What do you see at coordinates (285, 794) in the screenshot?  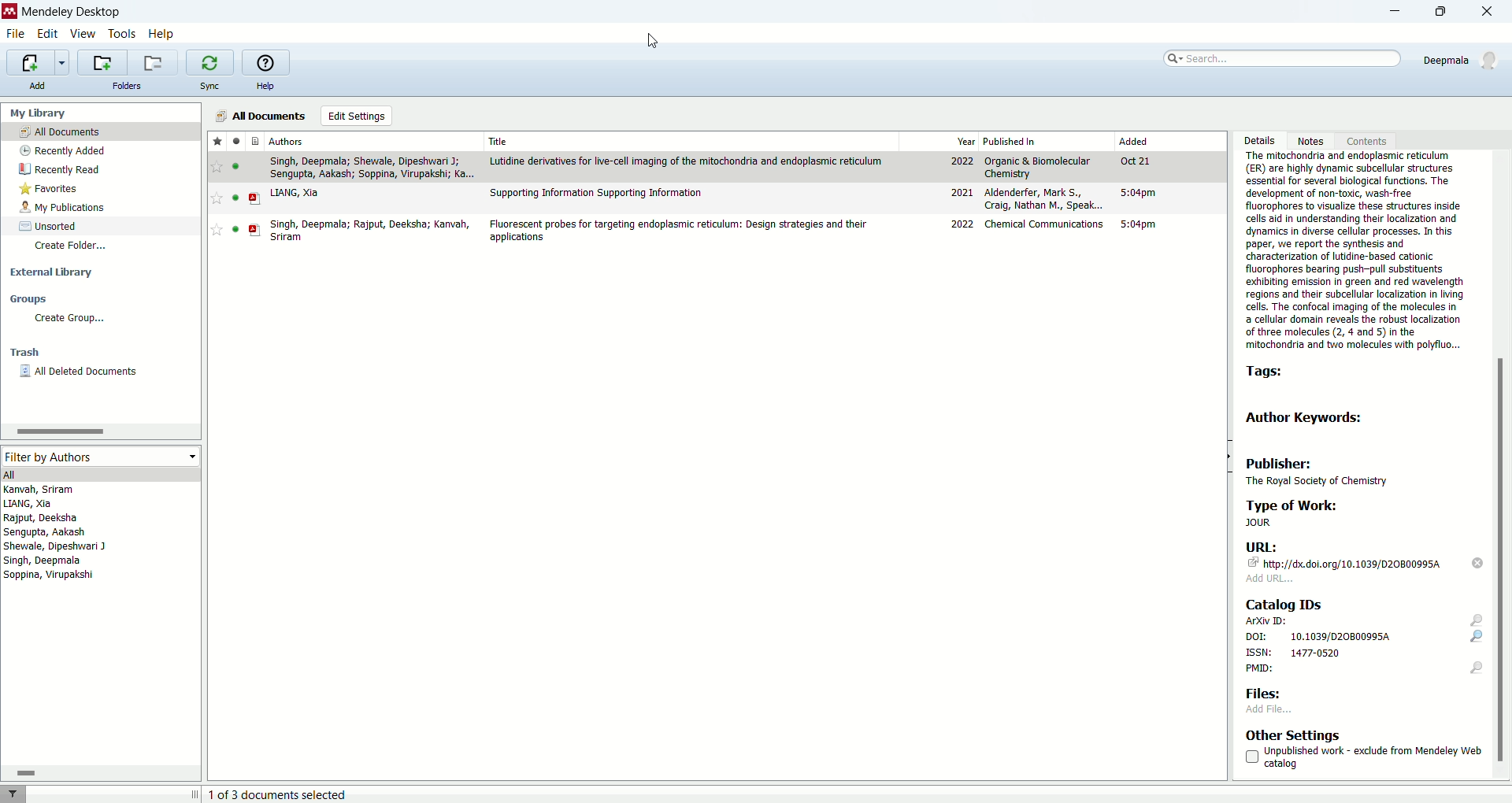 I see `1 of 3 document selected` at bounding box center [285, 794].